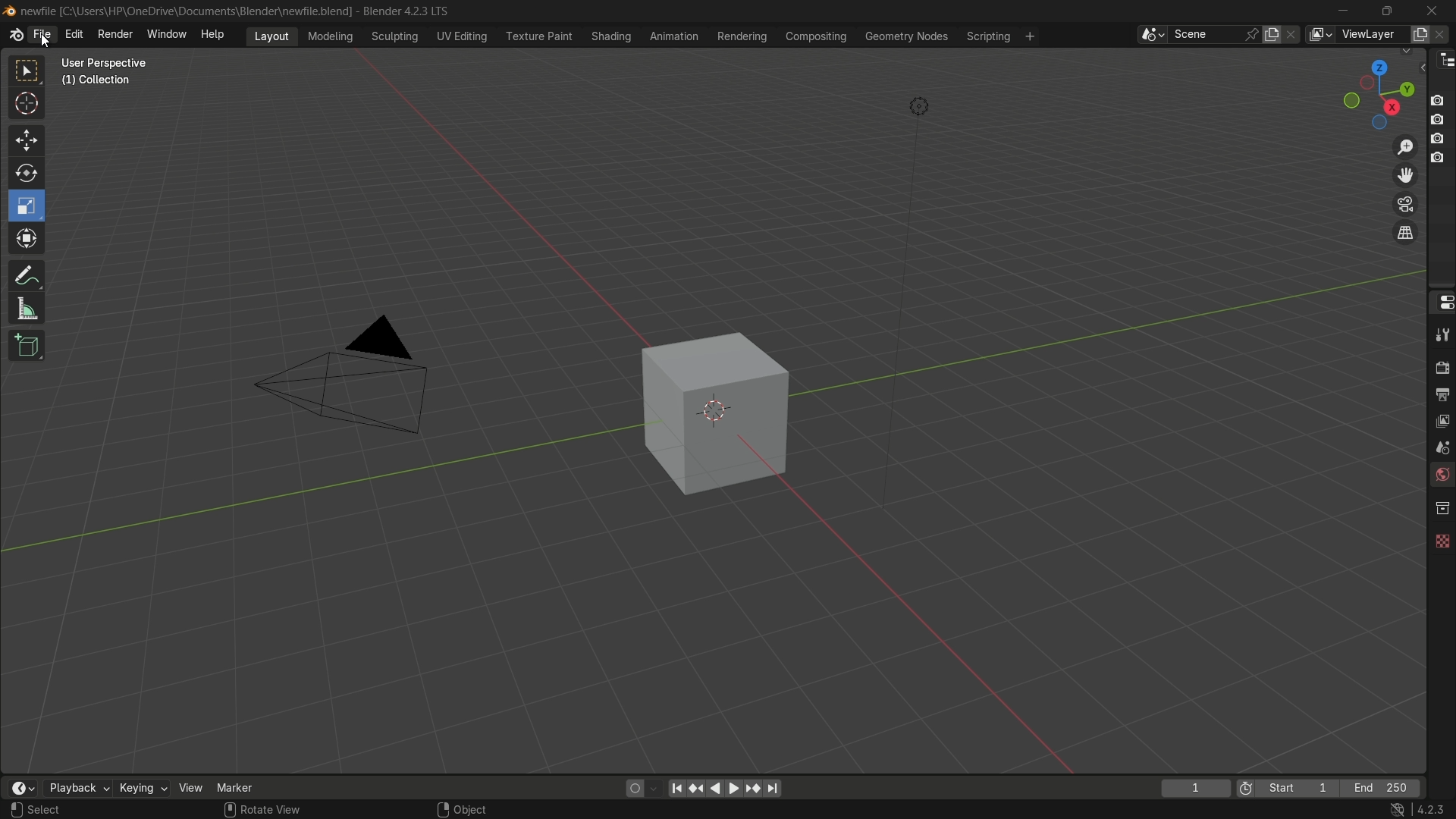 This screenshot has height=819, width=1456. I want to click on switch current view layer, so click(1405, 234).